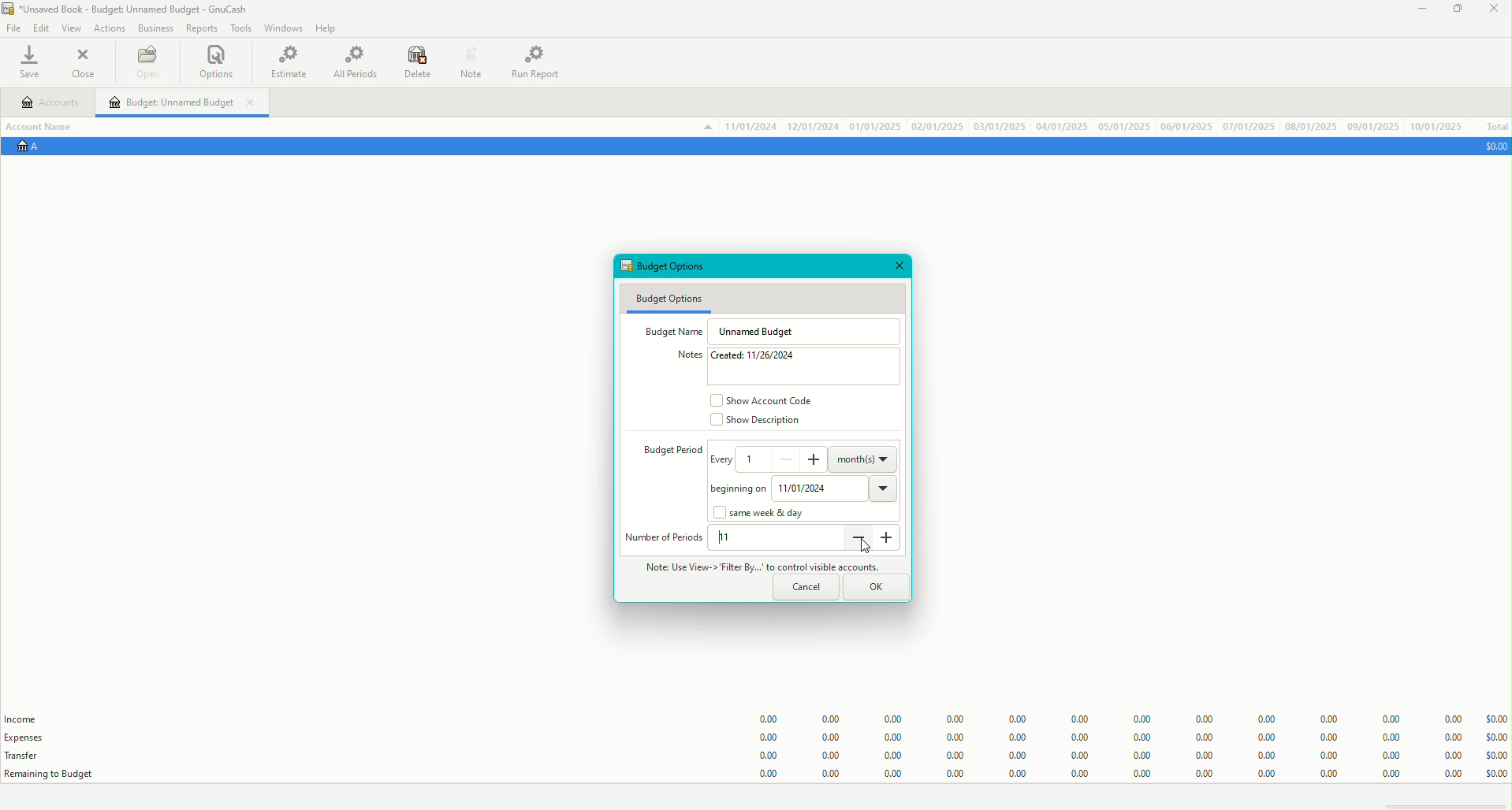 The width and height of the screenshot is (1512, 810). What do you see at coordinates (184, 102) in the screenshot?
I see `Unnamed Budget` at bounding box center [184, 102].